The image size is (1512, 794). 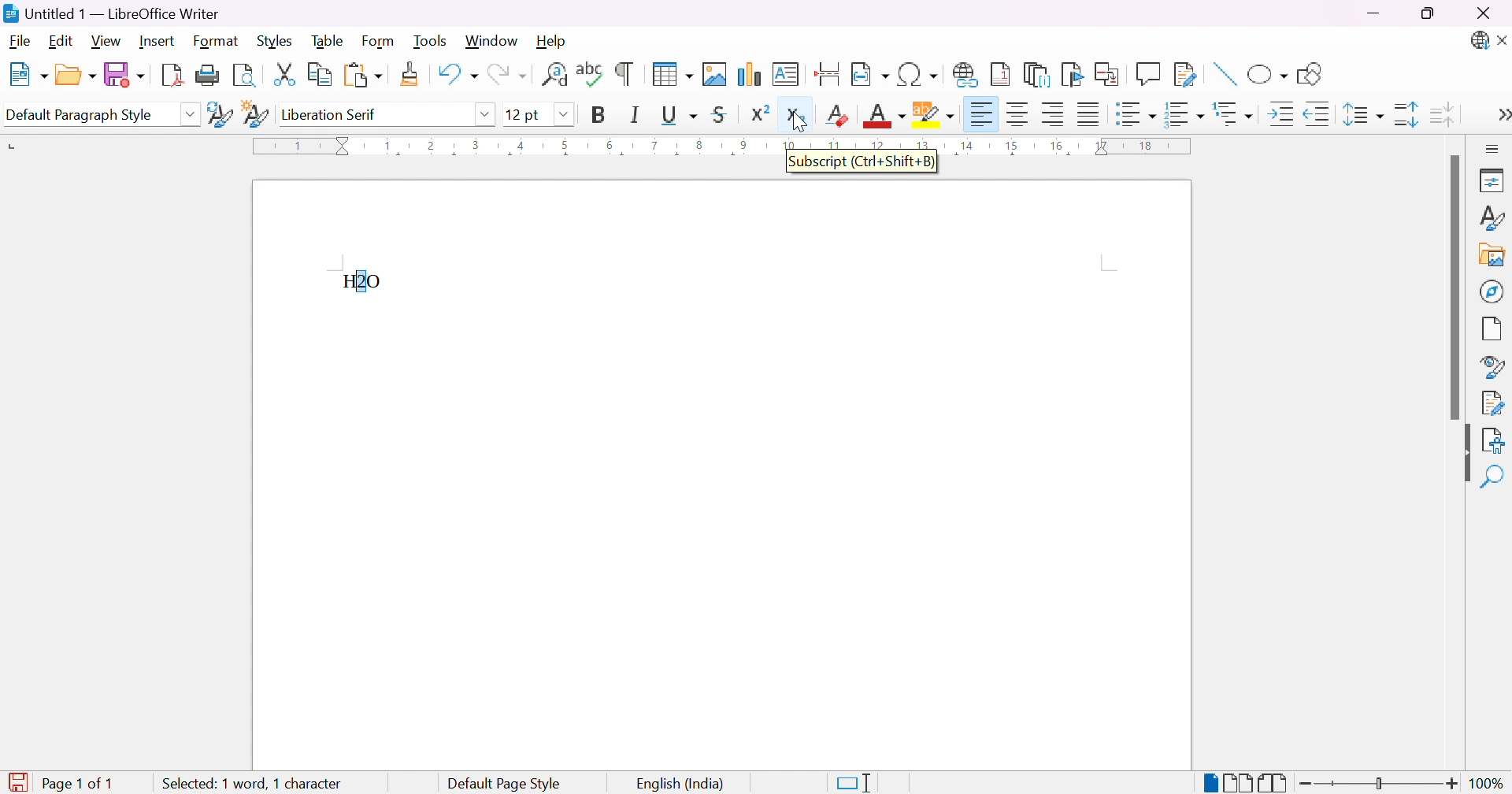 What do you see at coordinates (1440, 113) in the screenshot?
I see `Decrease paragraph spacing` at bounding box center [1440, 113].